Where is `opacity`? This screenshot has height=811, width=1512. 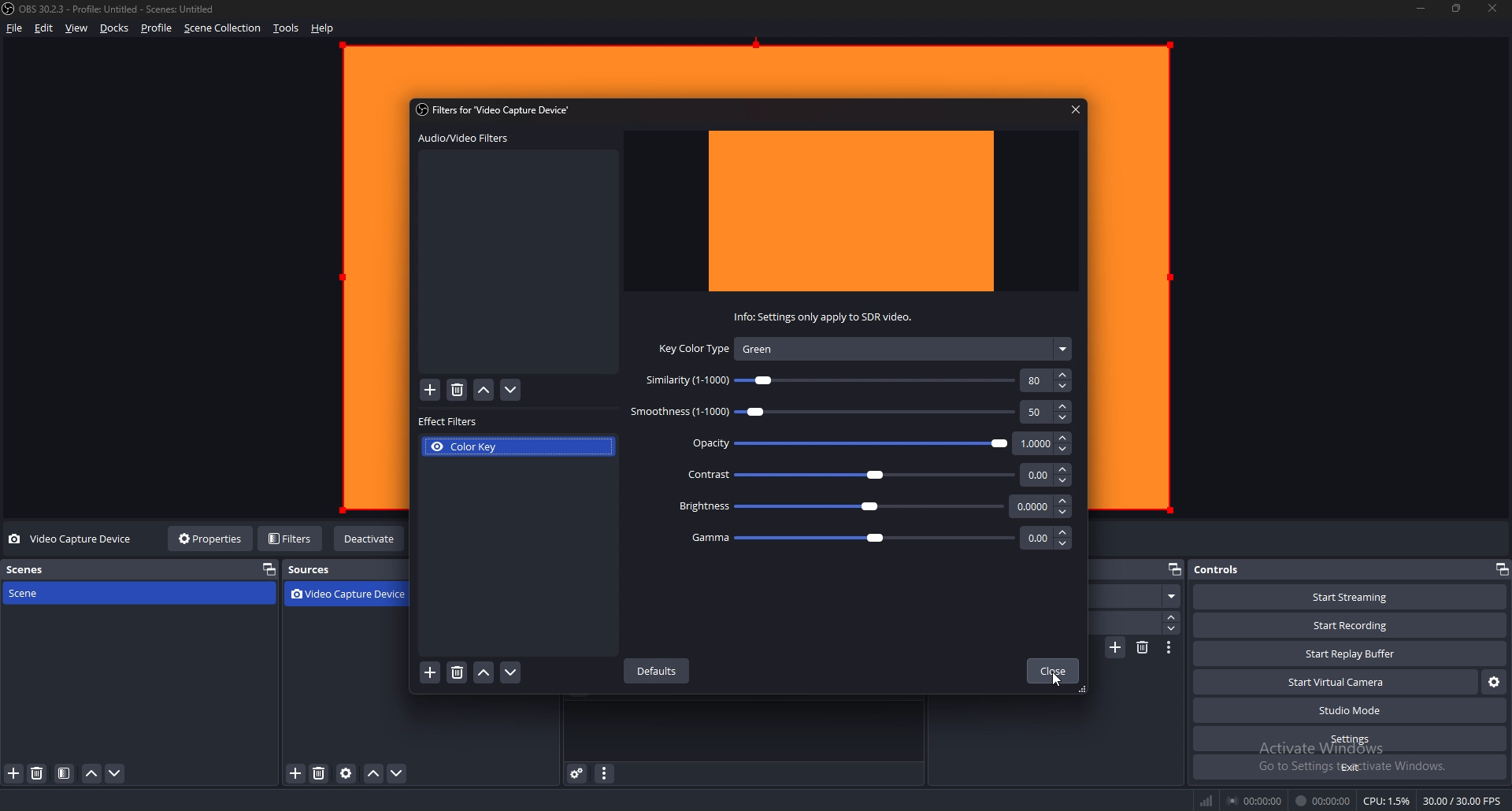
opacity is located at coordinates (874, 443).